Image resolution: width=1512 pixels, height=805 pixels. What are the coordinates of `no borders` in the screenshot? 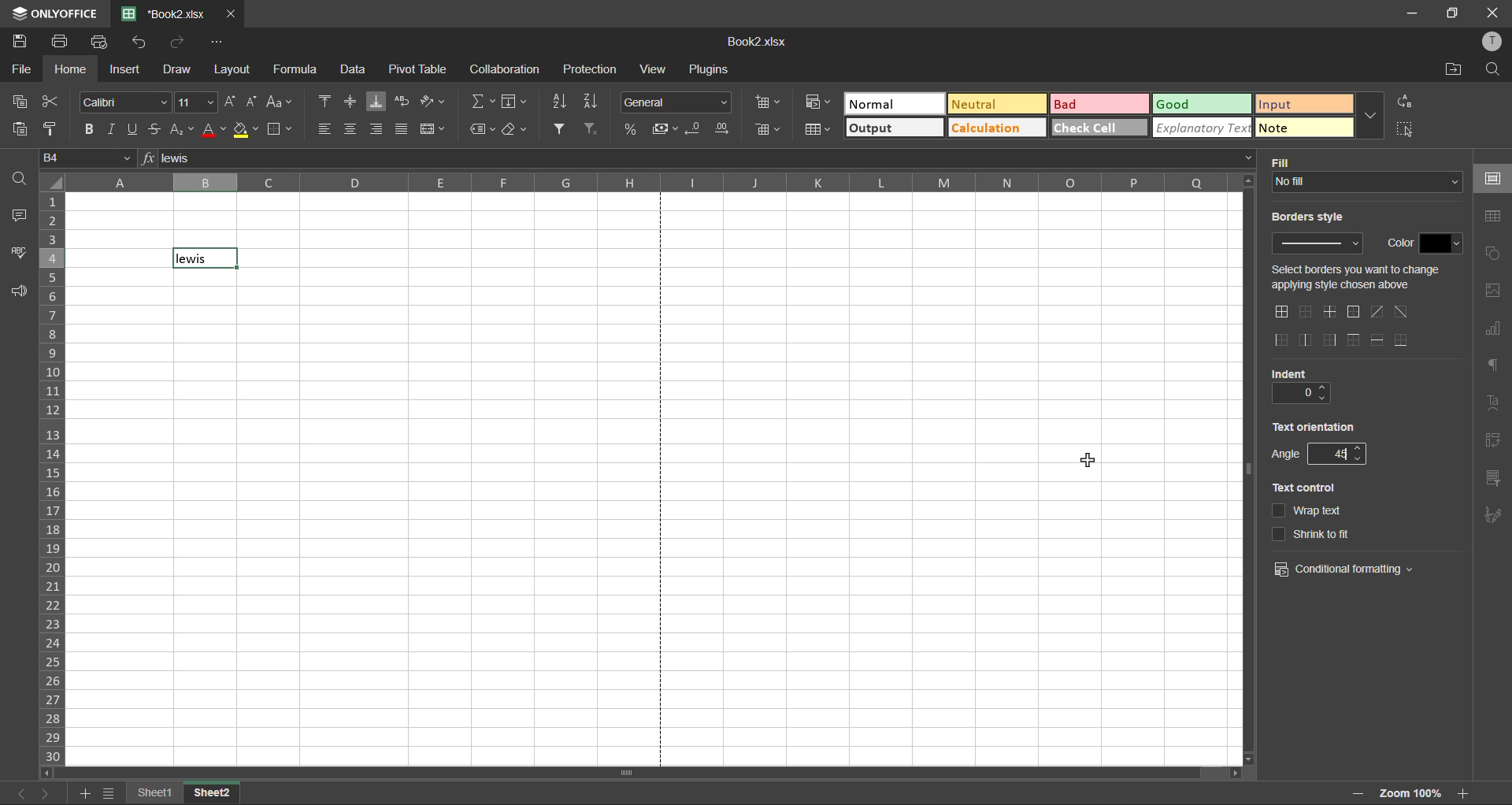 It's located at (1304, 310).